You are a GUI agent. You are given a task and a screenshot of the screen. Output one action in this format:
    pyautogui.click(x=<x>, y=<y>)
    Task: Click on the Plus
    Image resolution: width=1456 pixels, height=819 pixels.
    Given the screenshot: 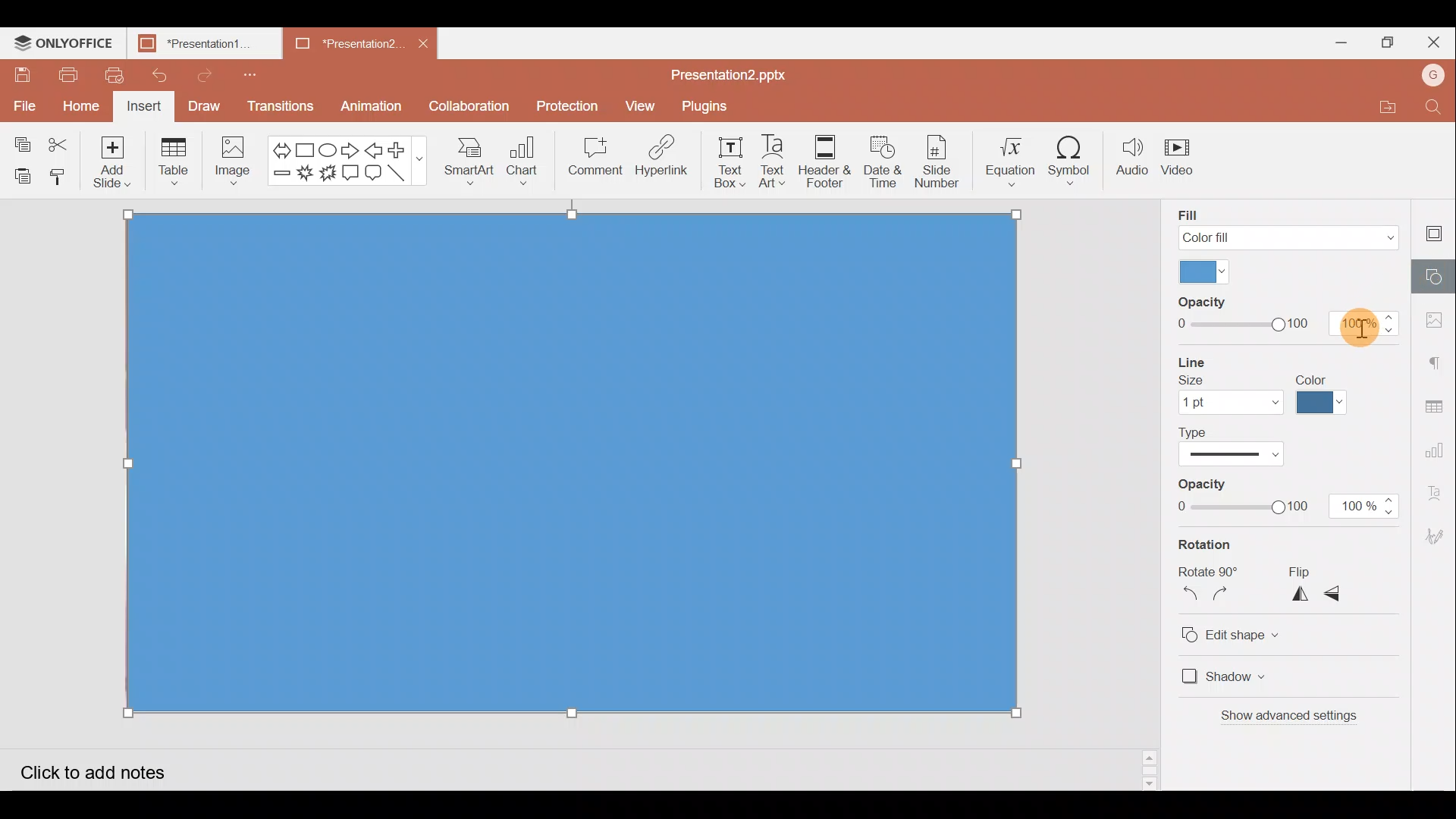 What is the action you would take?
    pyautogui.click(x=402, y=150)
    